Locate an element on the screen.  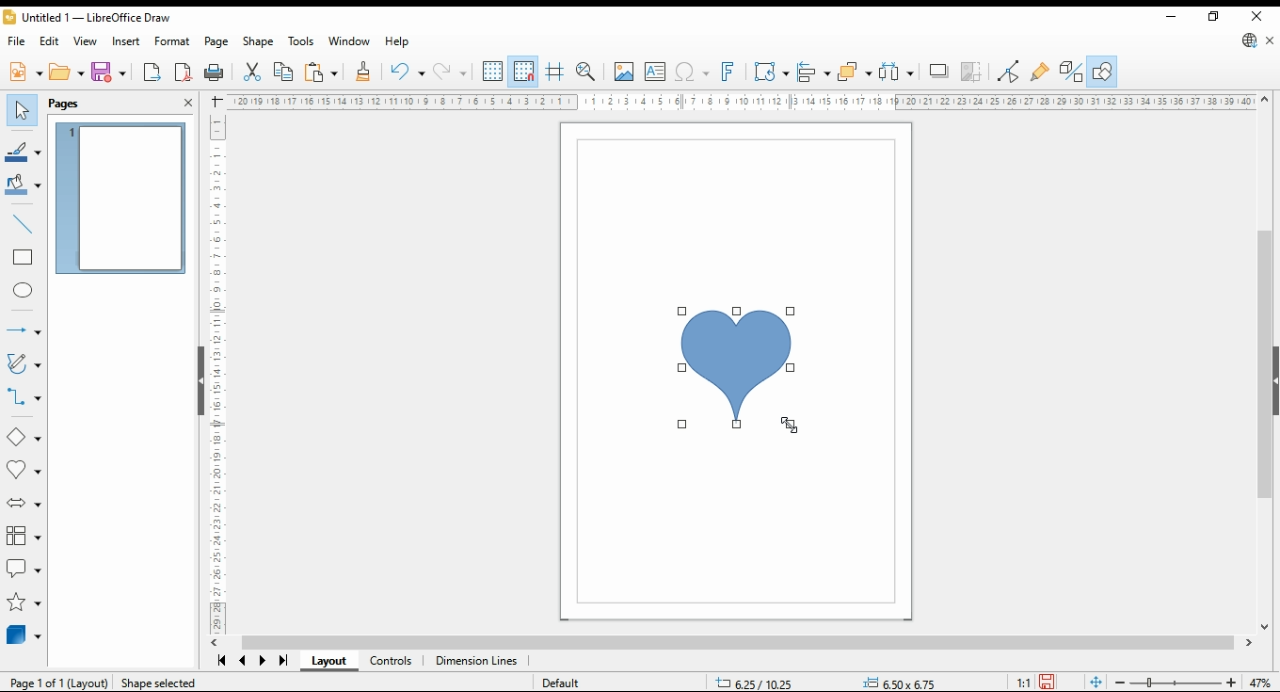
close formatting is located at coordinates (364, 71).